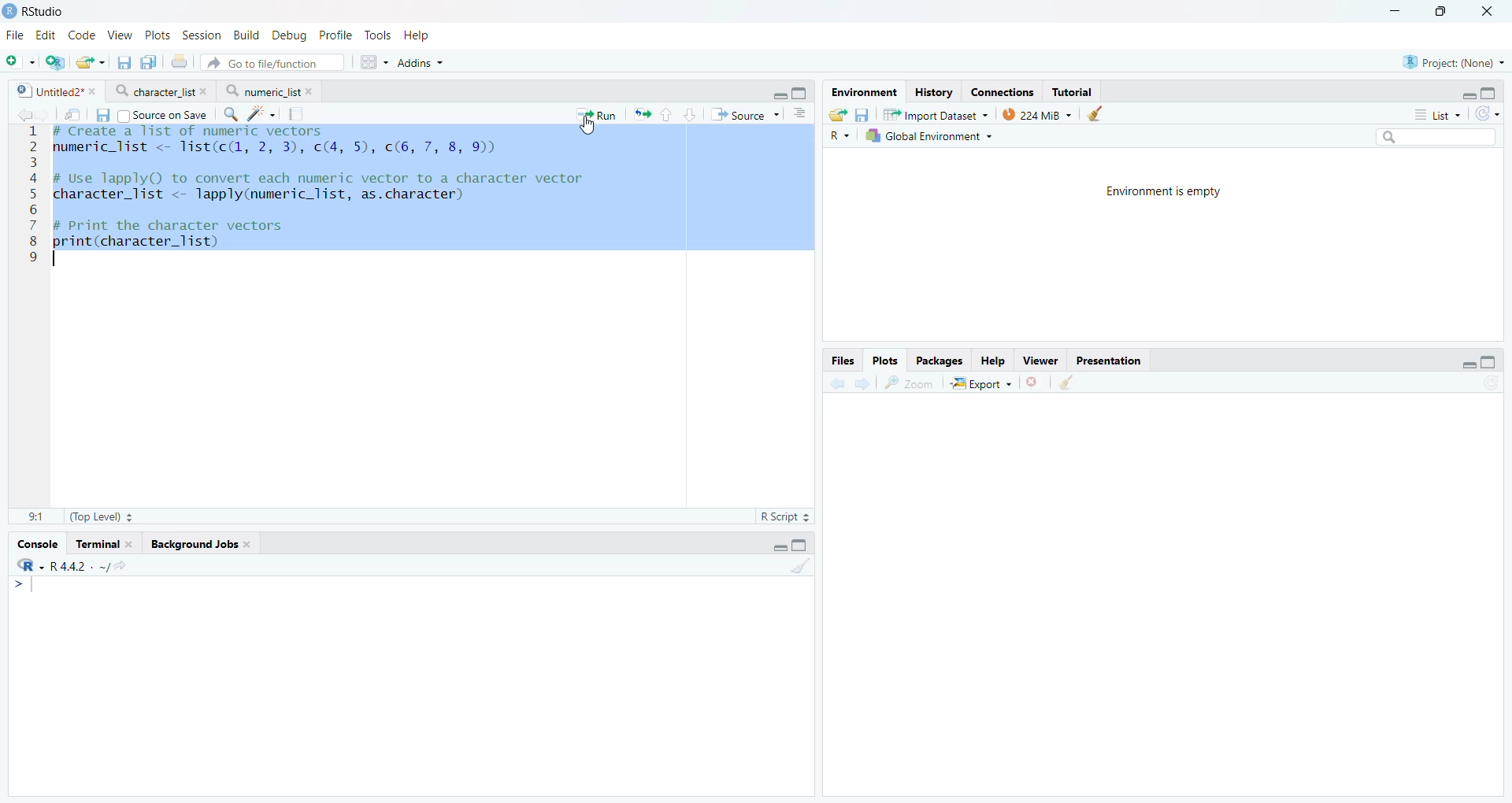  I want to click on Open existing file, so click(89, 62).